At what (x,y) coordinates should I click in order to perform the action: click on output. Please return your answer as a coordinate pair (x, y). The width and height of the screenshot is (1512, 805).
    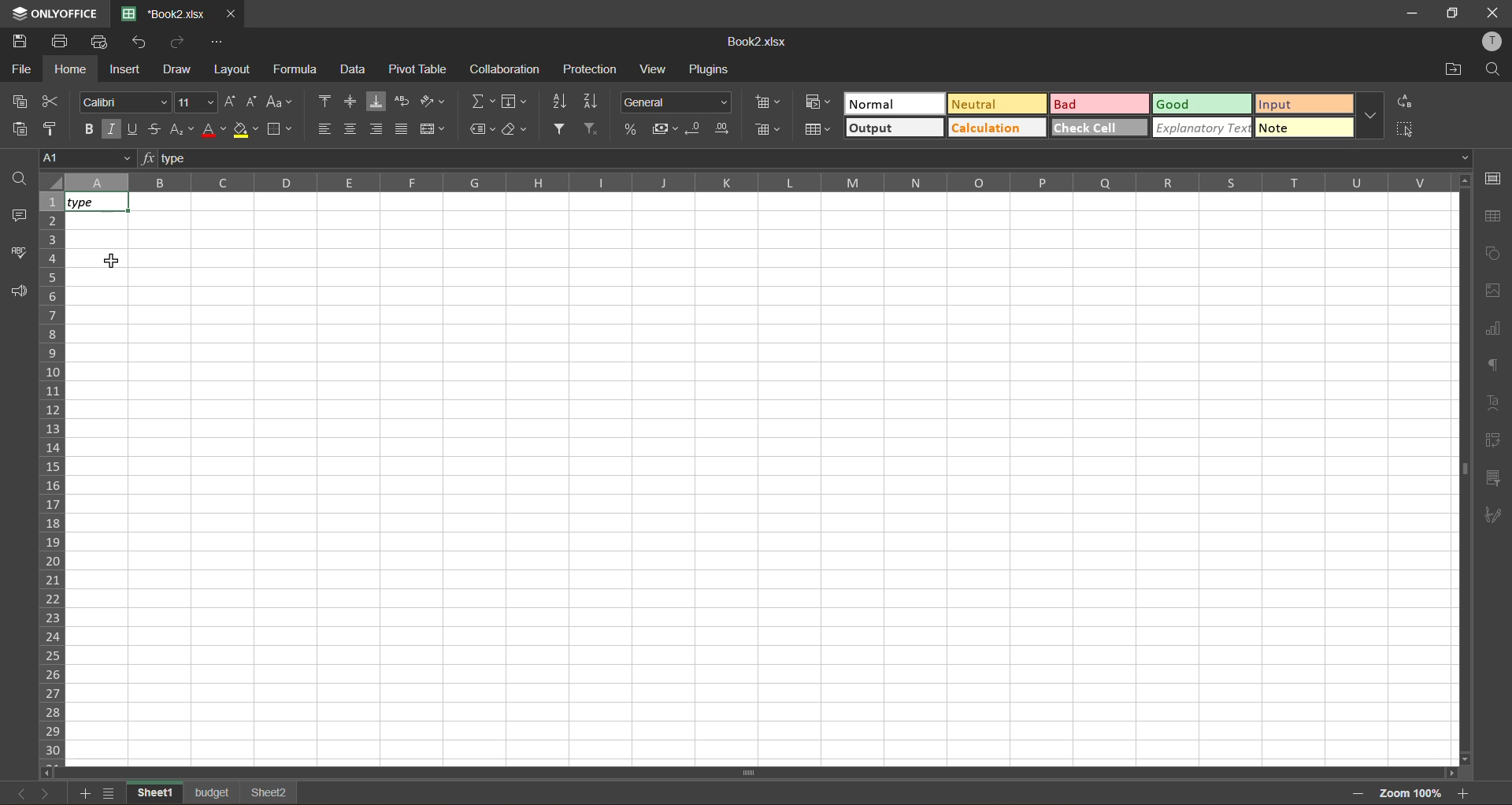
    Looking at the image, I should click on (893, 128).